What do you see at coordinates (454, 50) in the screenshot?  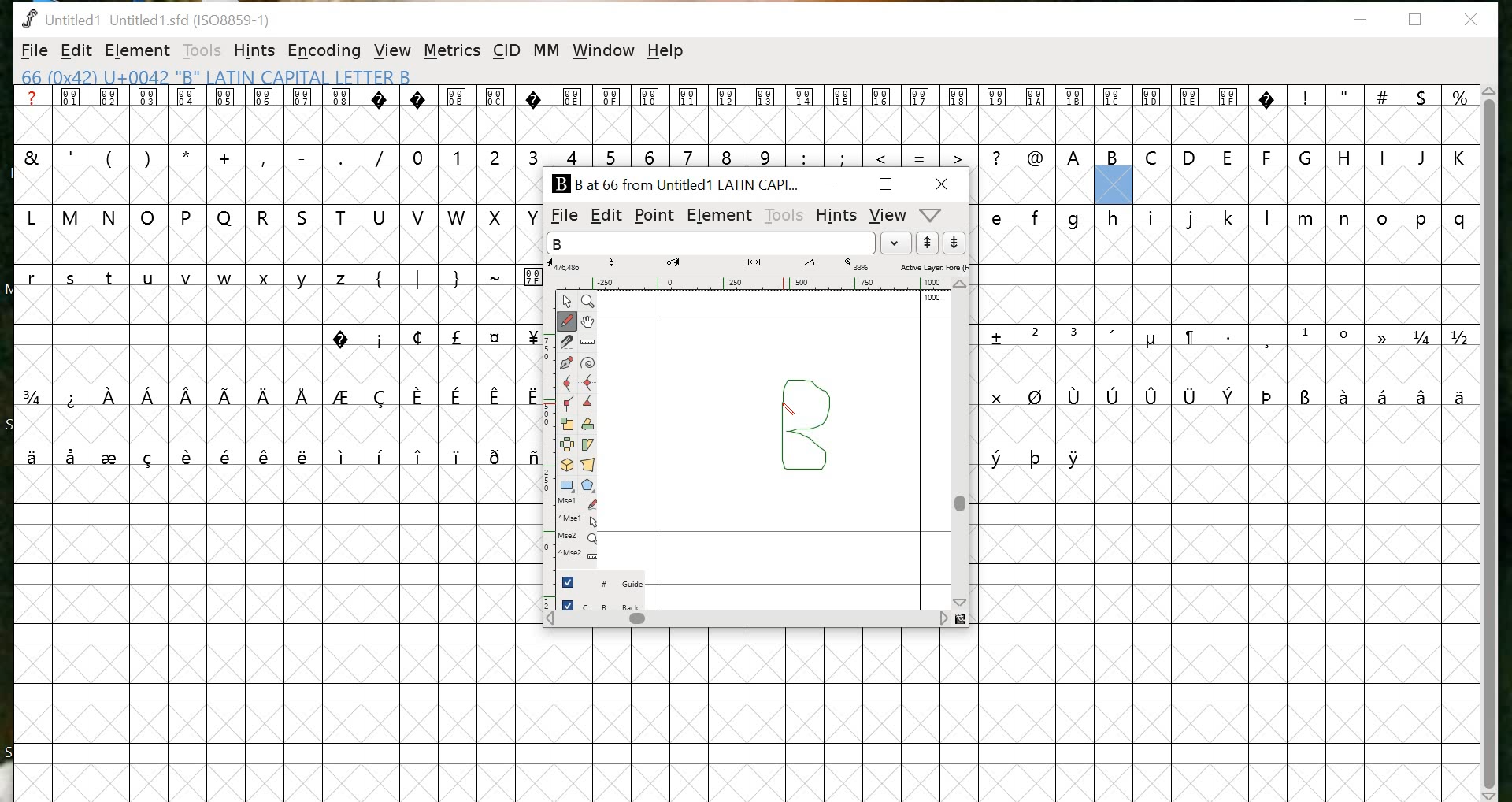 I see `METRICS` at bounding box center [454, 50].